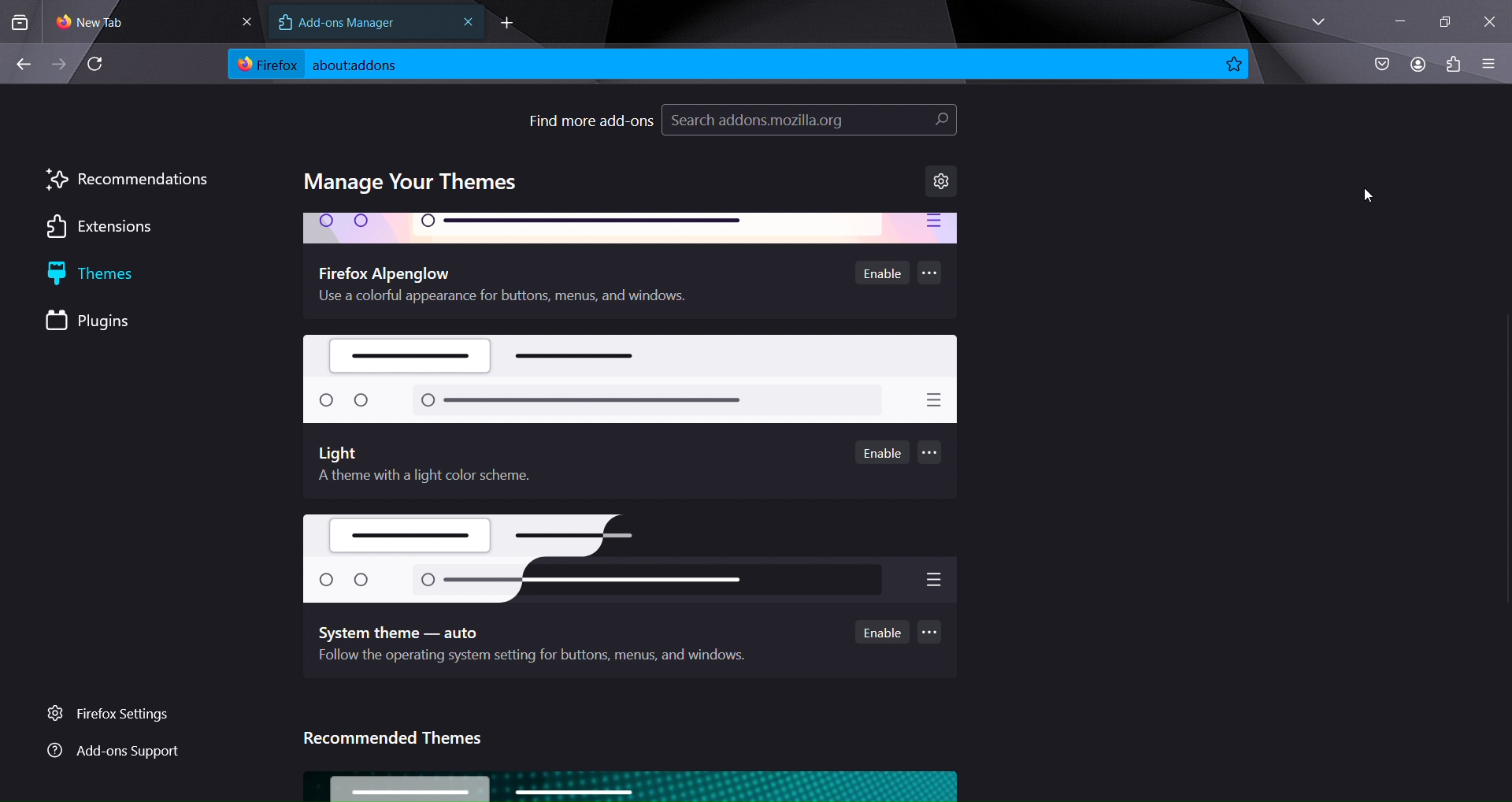  Describe the element at coordinates (884, 454) in the screenshot. I see `enable` at that location.